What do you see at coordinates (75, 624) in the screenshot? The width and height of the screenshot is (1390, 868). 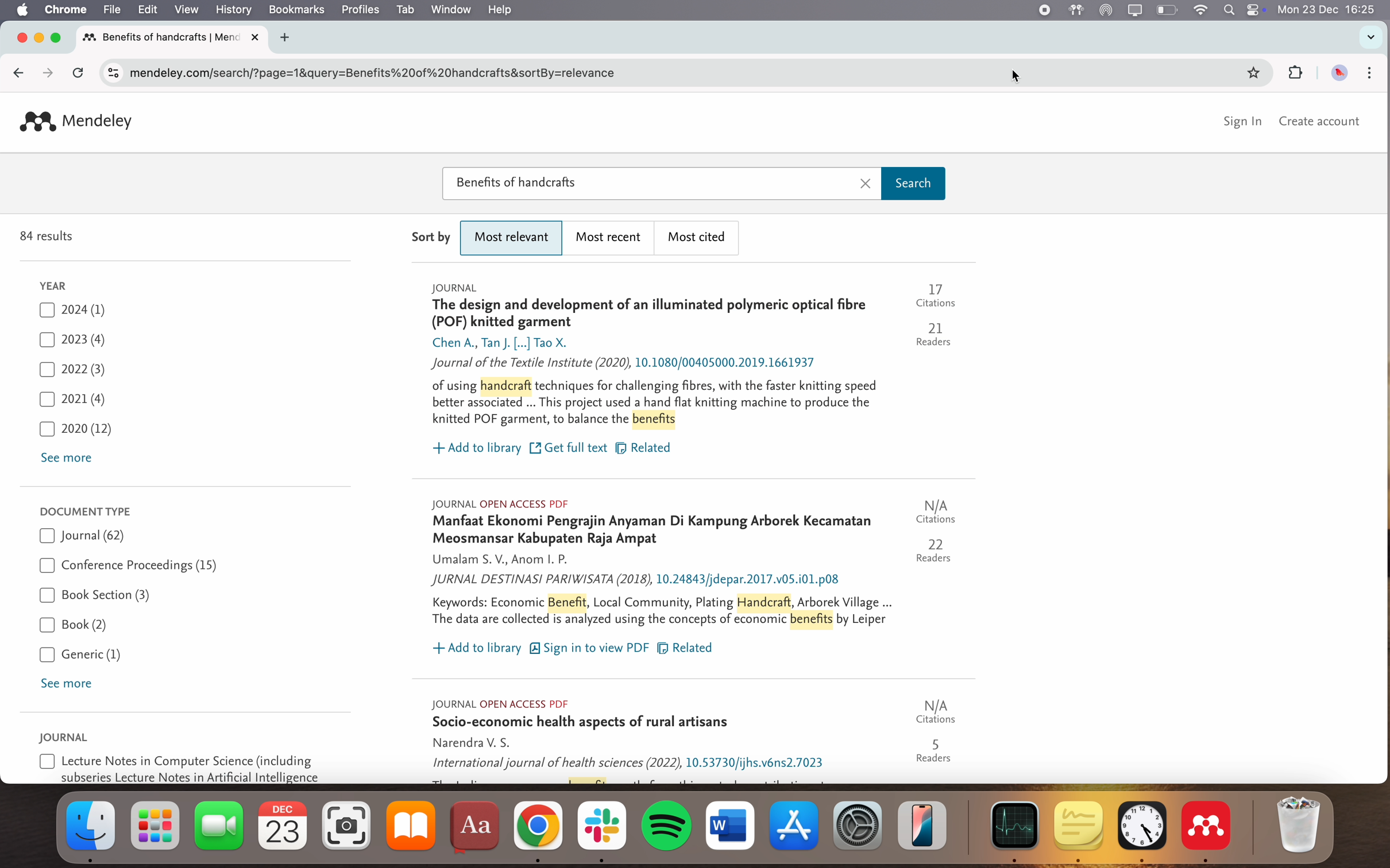 I see `book` at bounding box center [75, 624].